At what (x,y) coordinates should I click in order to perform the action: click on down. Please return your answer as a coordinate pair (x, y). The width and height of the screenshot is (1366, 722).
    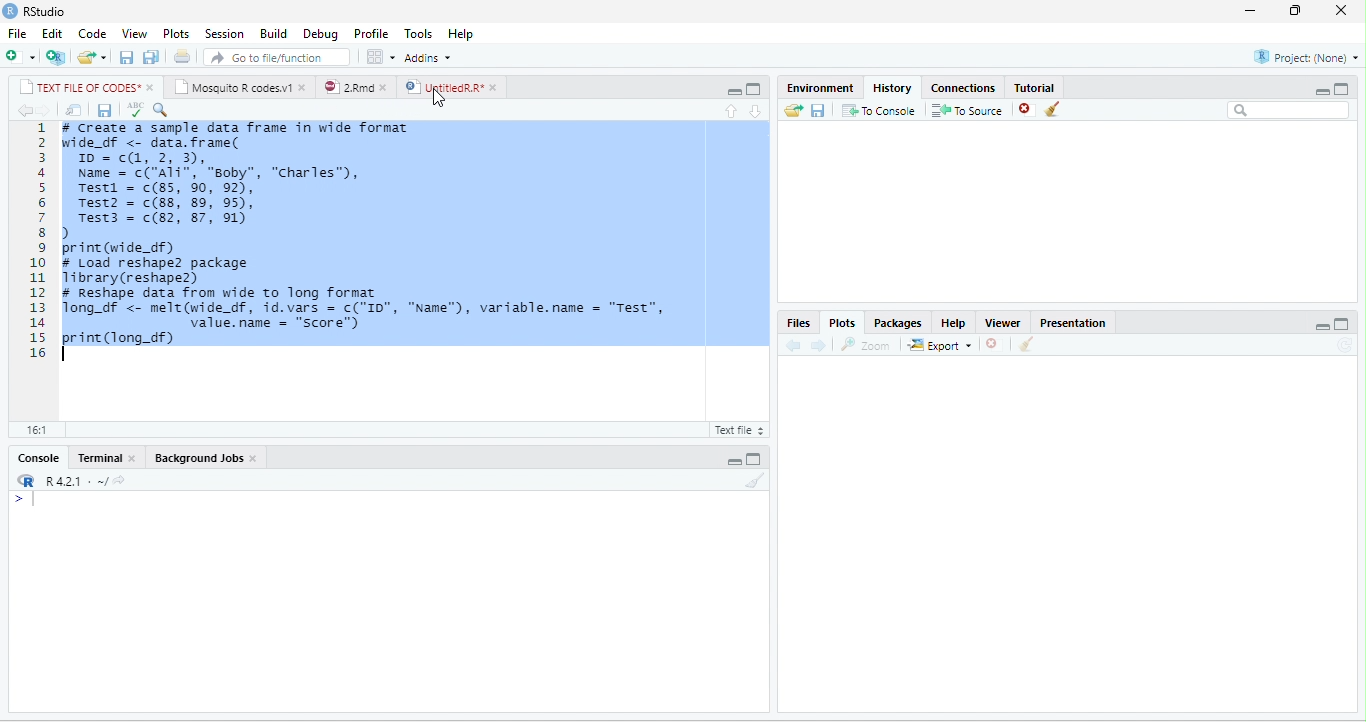
    Looking at the image, I should click on (757, 112).